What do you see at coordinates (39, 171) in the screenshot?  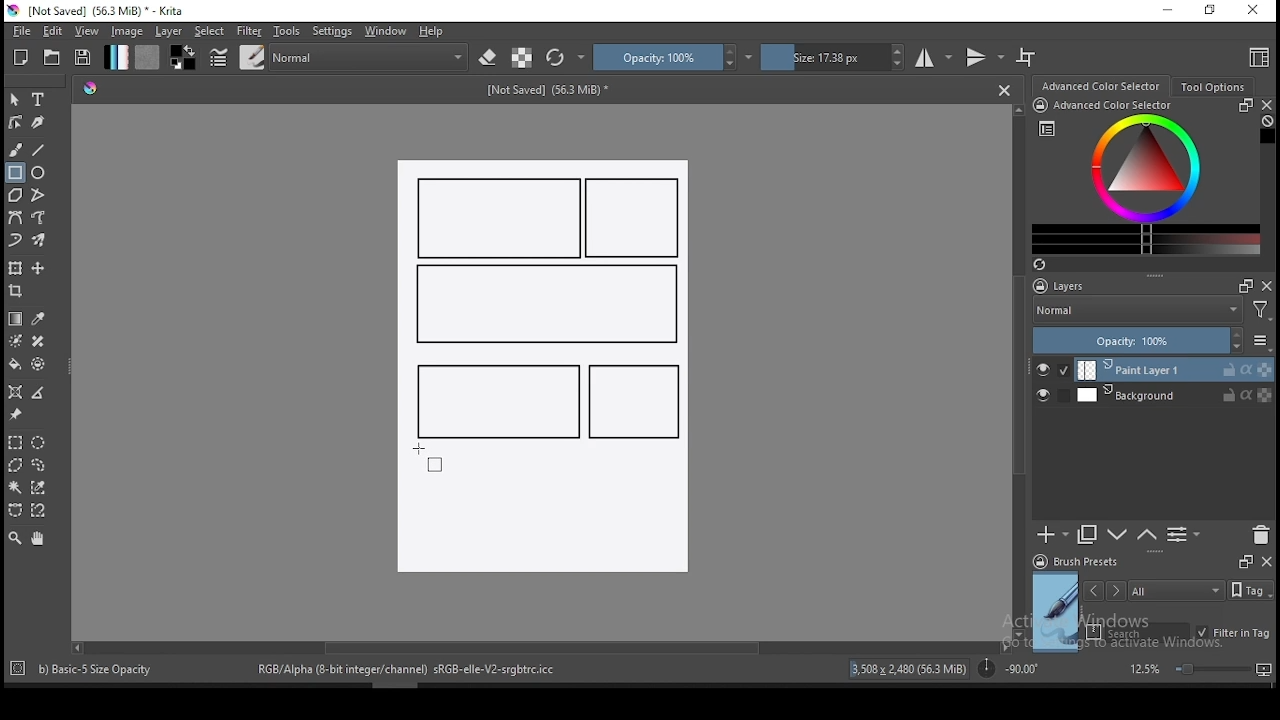 I see `ellipse tool` at bounding box center [39, 171].